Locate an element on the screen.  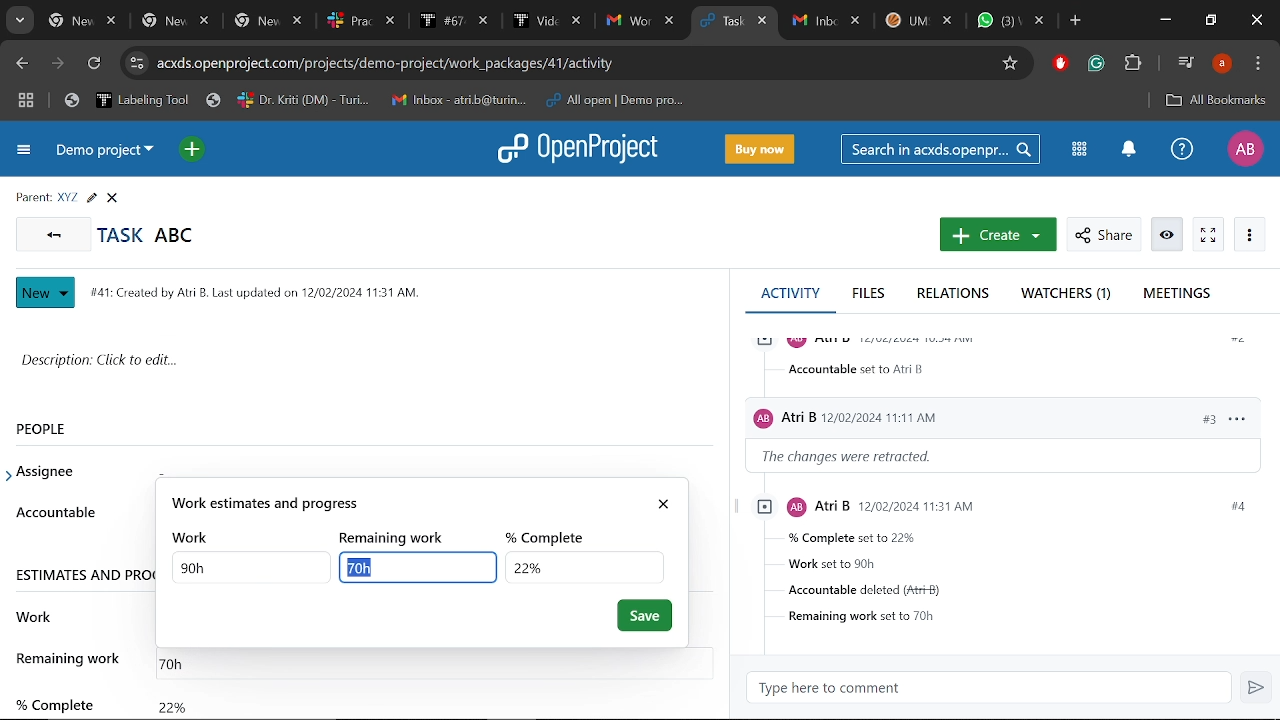
CLose is located at coordinates (115, 198).